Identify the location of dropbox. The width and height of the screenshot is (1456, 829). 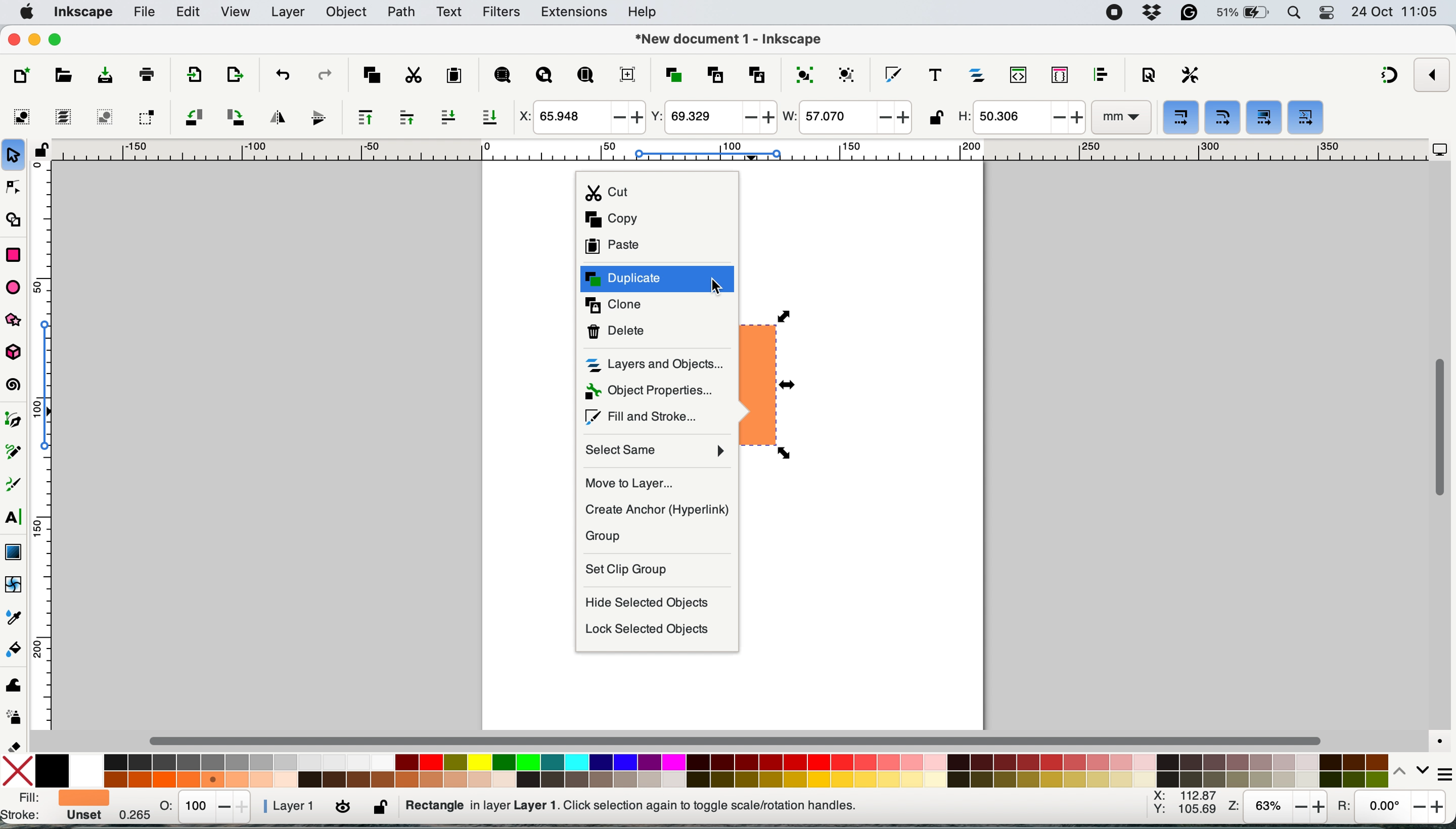
(1154, 13).